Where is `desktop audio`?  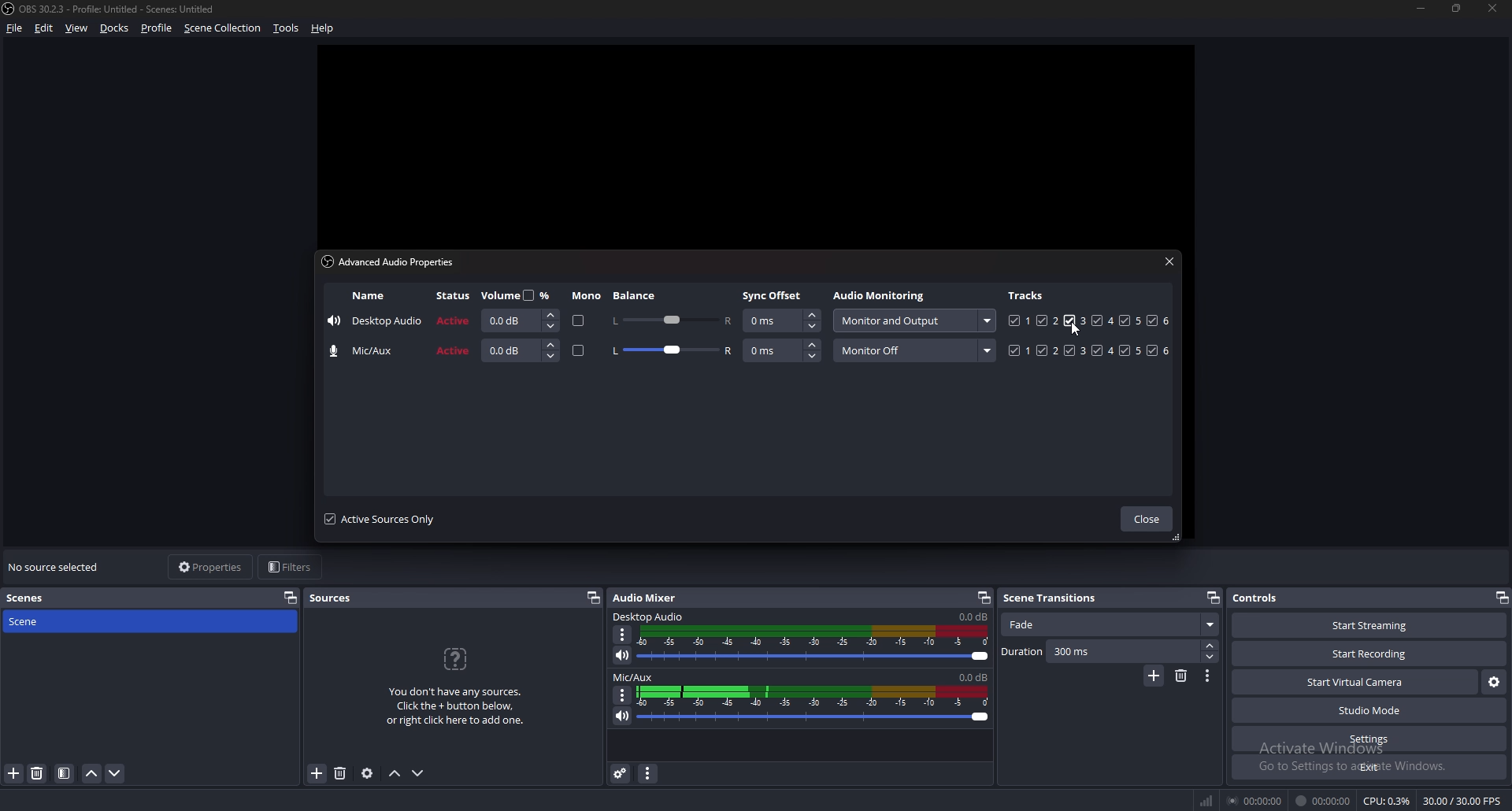
desktop audio is located at coordinates (375, 323).